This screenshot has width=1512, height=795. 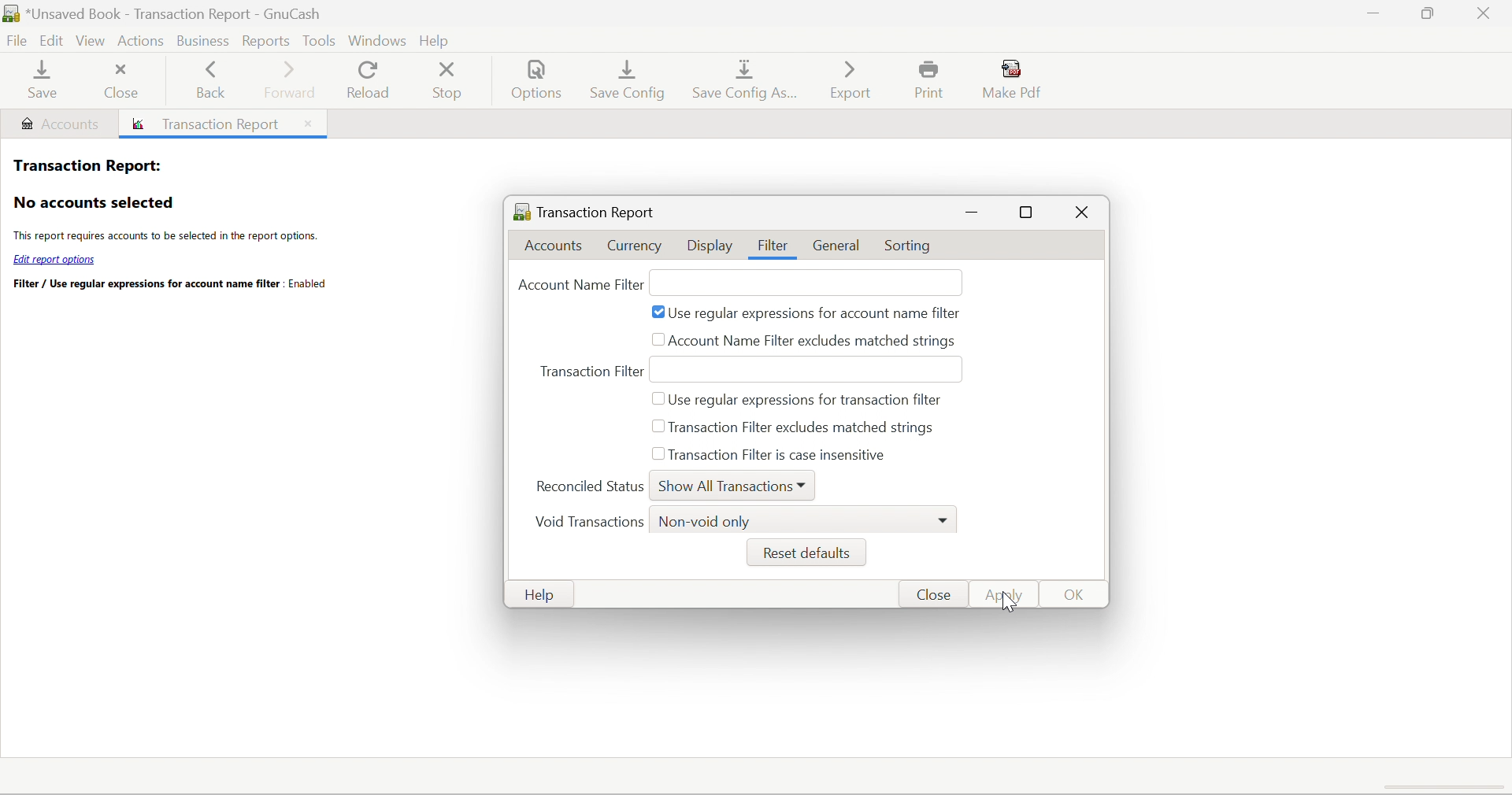 What do you see at coordinates (178, 13) in the screenshot?
I see `*Untitled - Accounts - GnuCash` at bounding box center [178, 13].